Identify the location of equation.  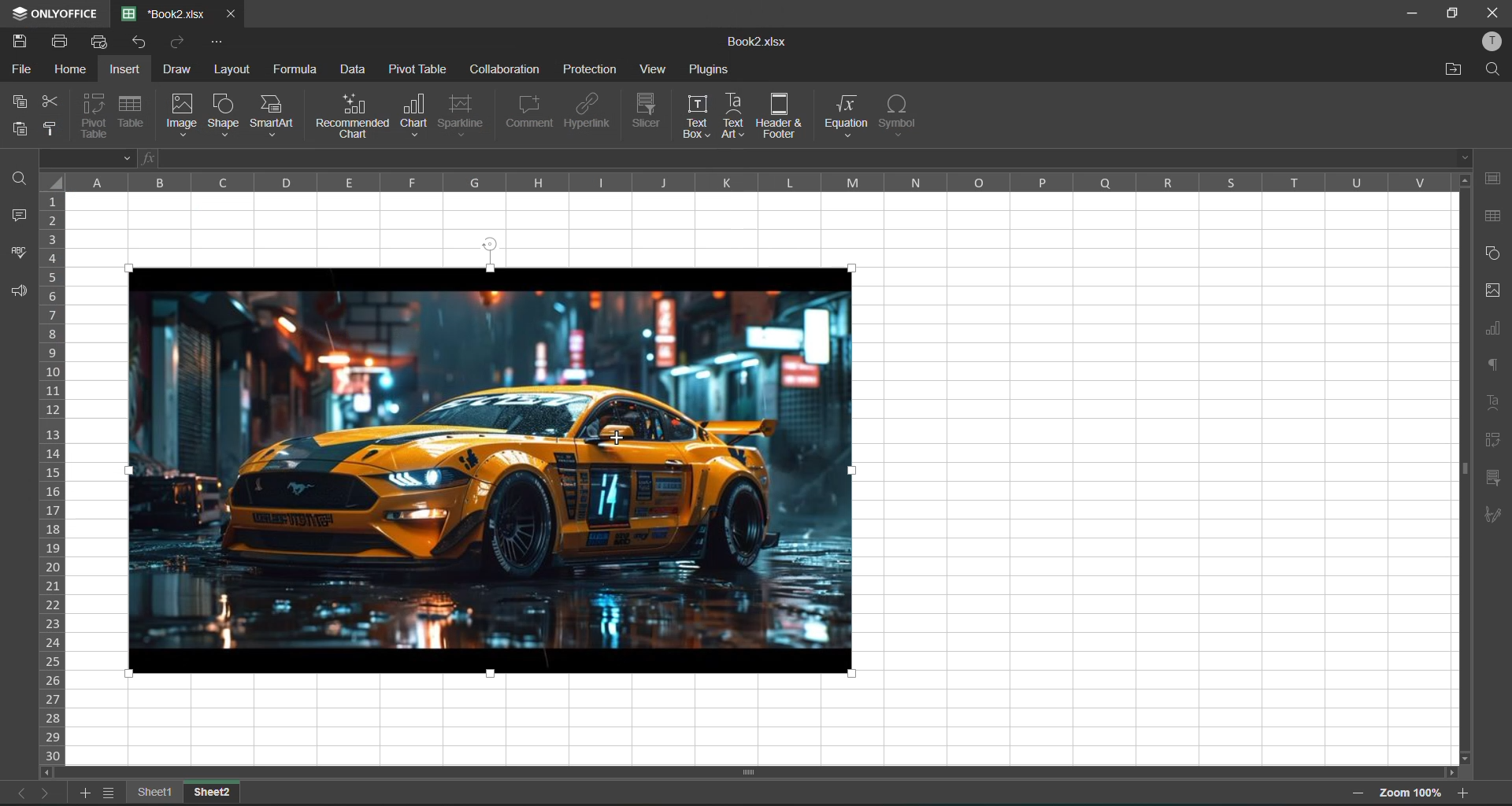
(844, 115).